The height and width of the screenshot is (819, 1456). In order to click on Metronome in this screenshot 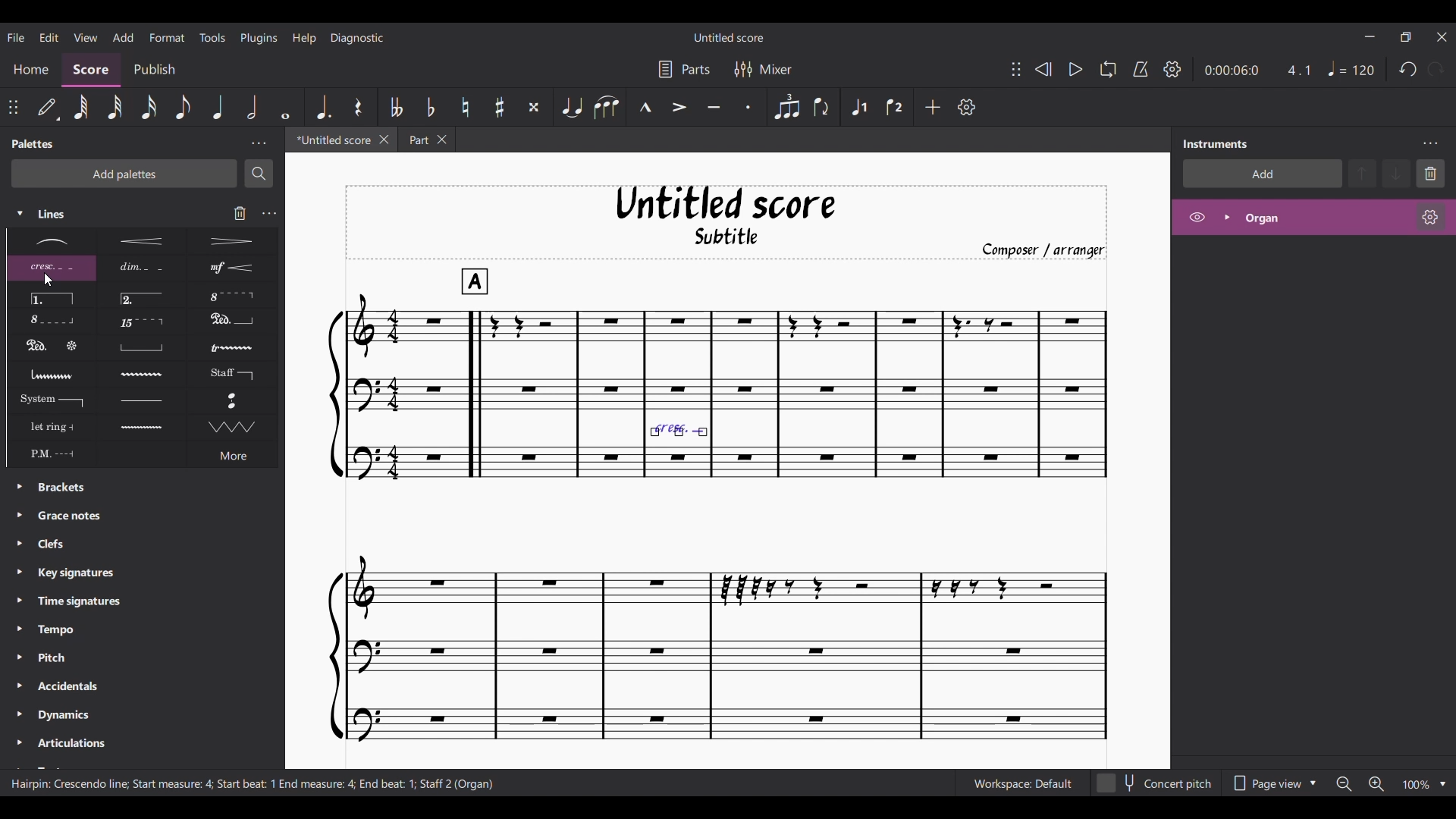, I will do `click(1141, 69)`.